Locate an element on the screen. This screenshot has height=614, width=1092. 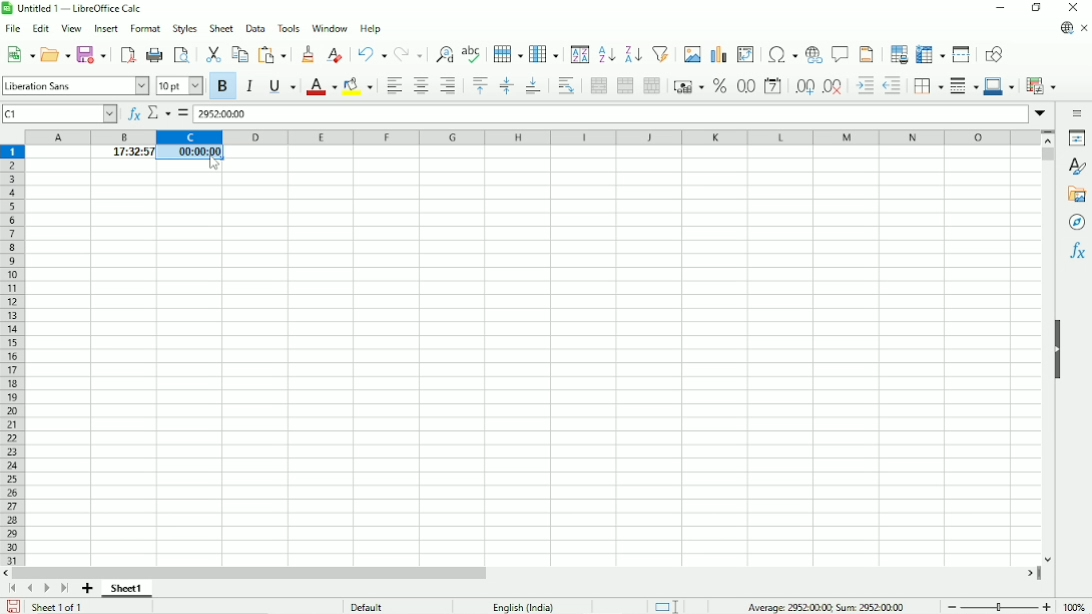
Vertical scrollbar is located at coordinates (1047, 157).